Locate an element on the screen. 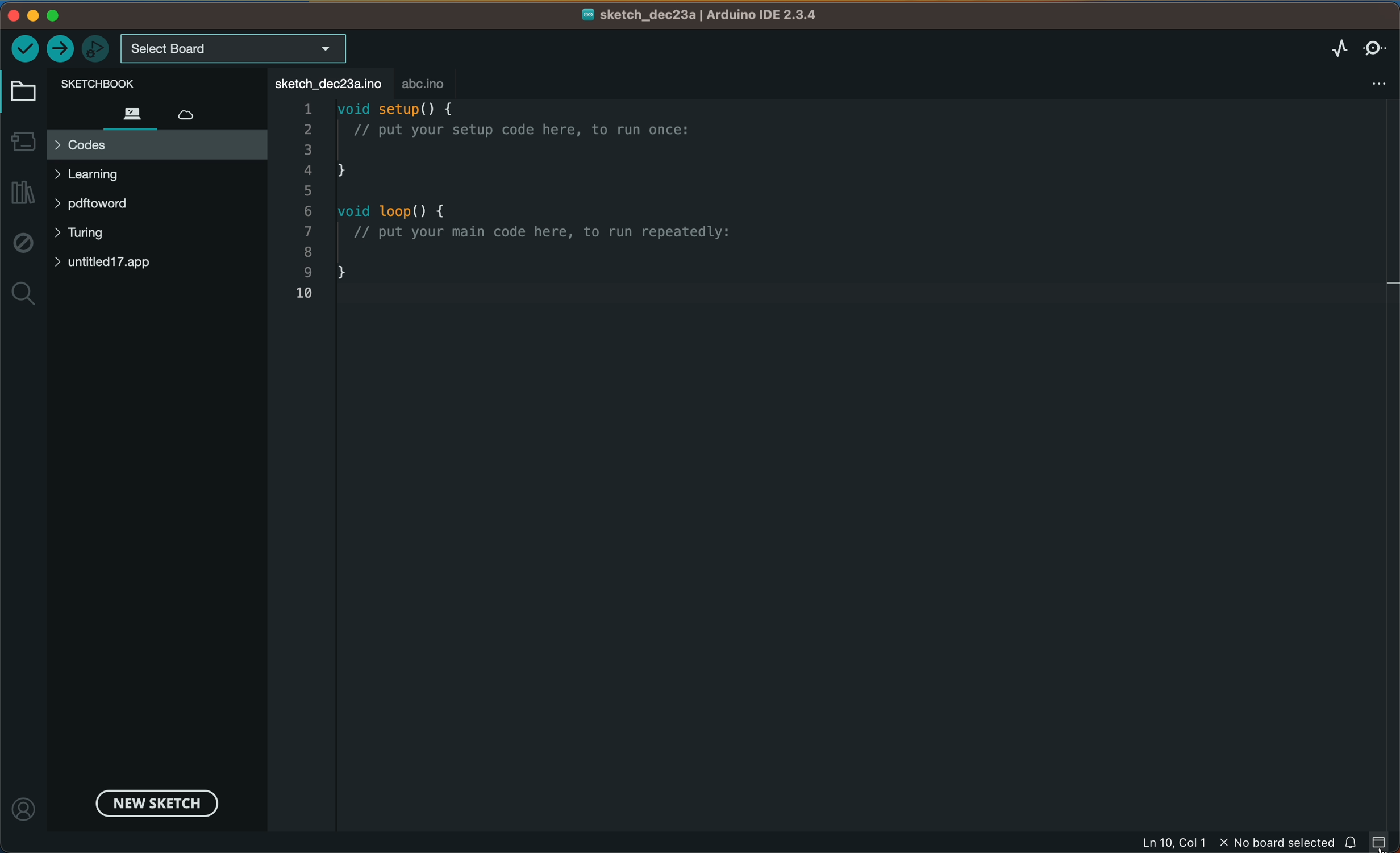 The height and width of the screenshot is (853, 1400). folder is located at coordinates (20, 89).